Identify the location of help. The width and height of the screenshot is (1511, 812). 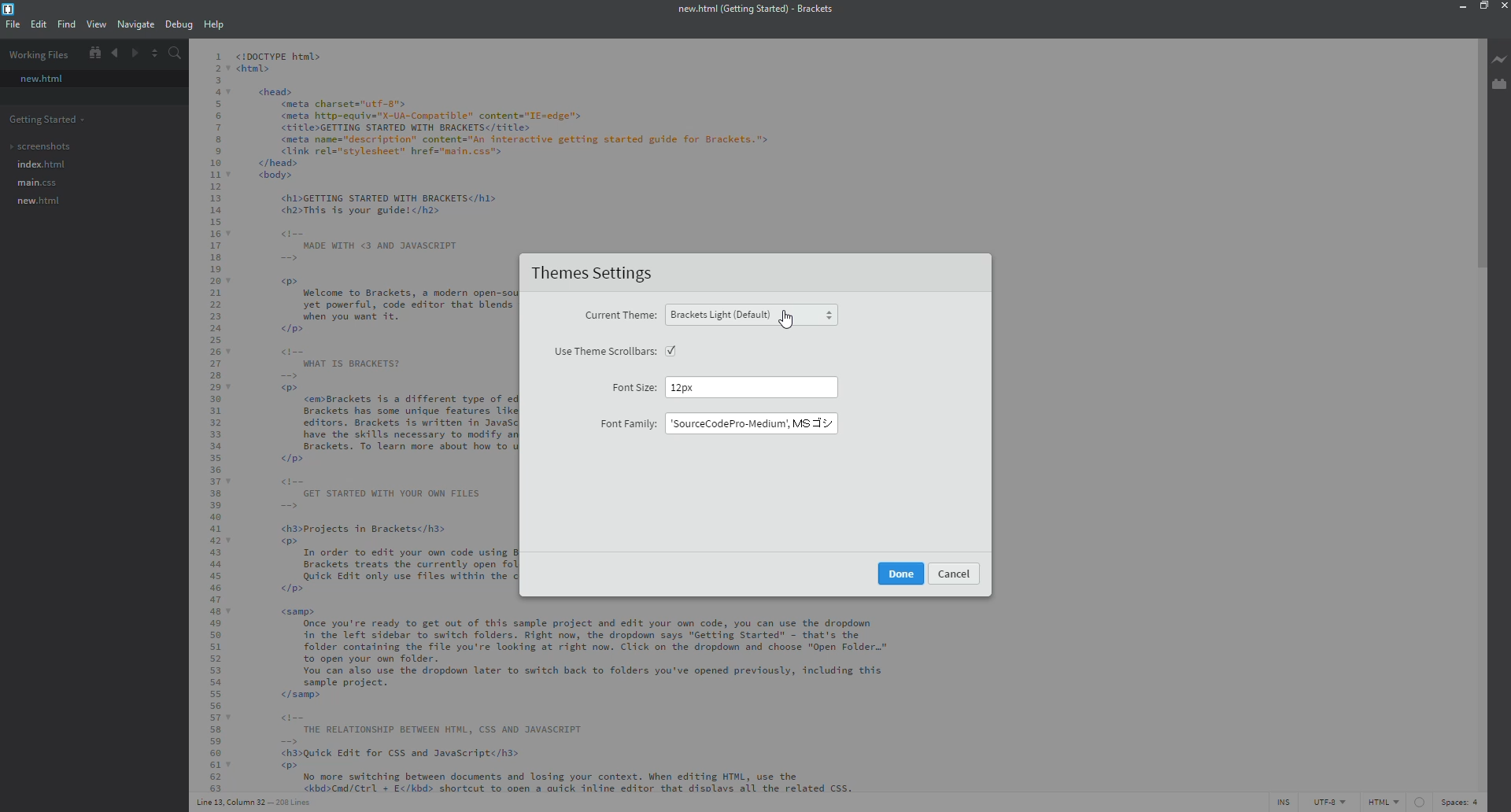
(212, 24).